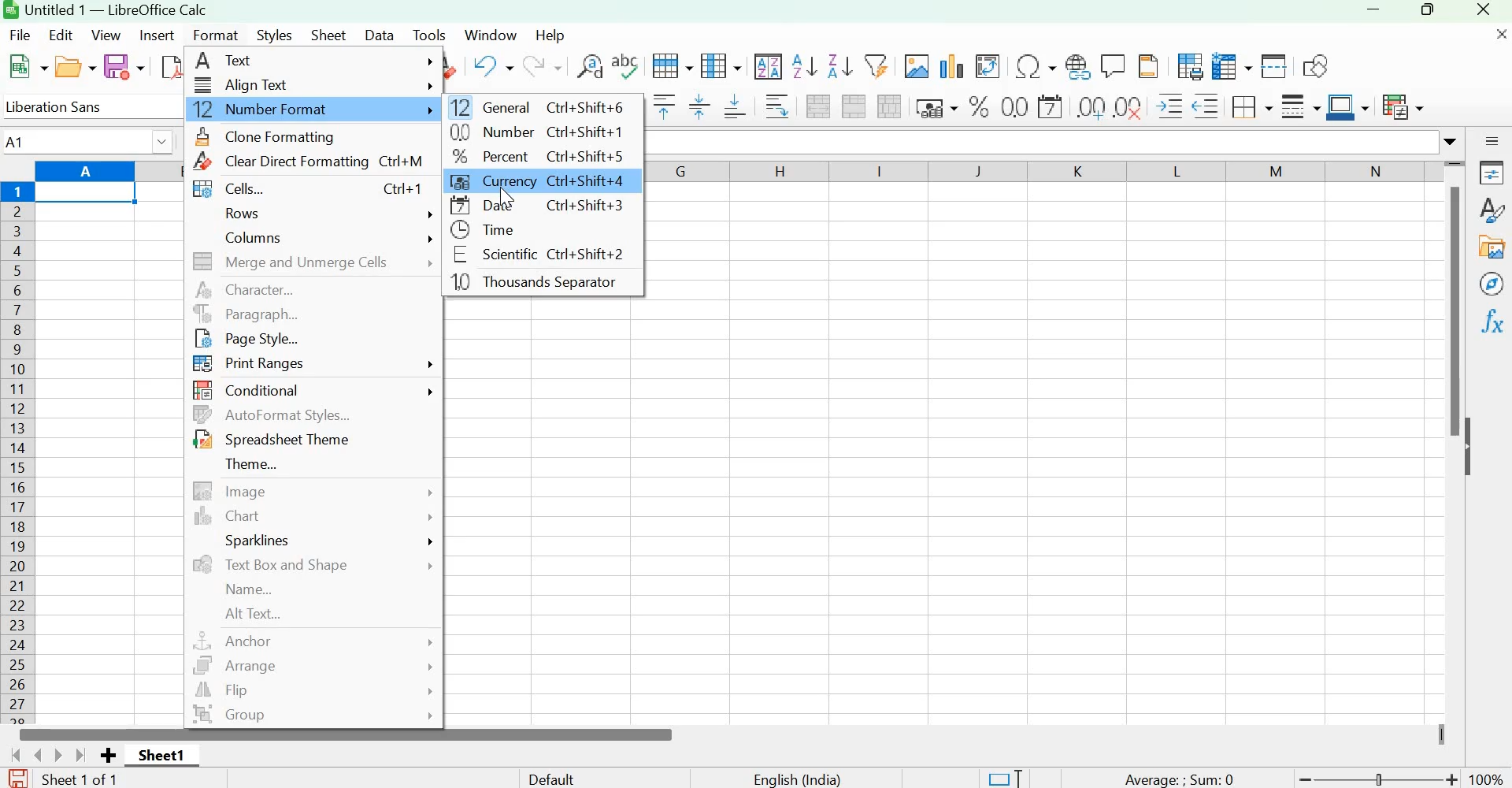 The height and width of the screenshot is (788, 1512). What do you see at coordinates (429, 35) in the screenshot?
I see `Tools` at bounding box center [429, 35].